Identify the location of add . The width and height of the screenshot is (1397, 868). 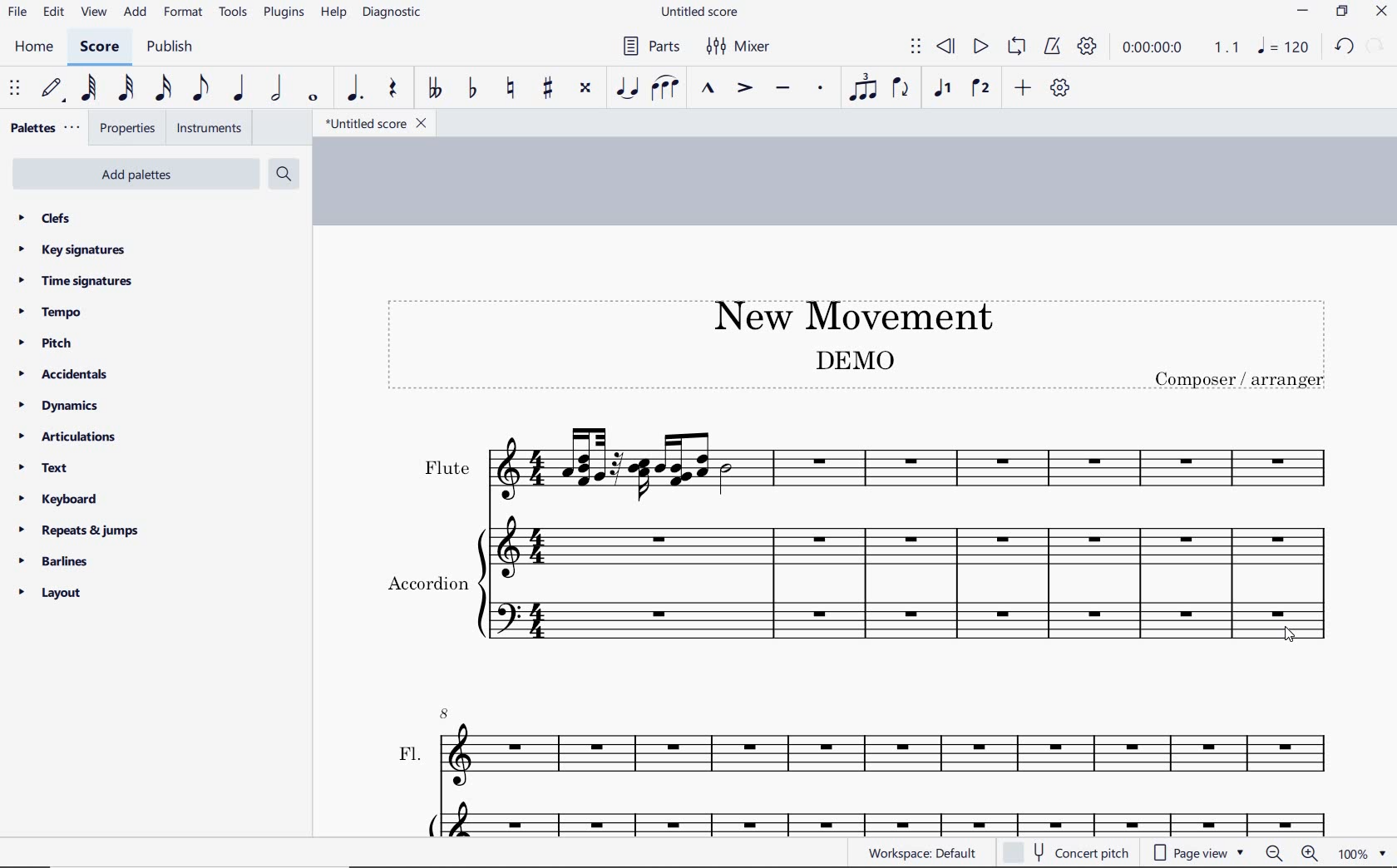
(137, 12).